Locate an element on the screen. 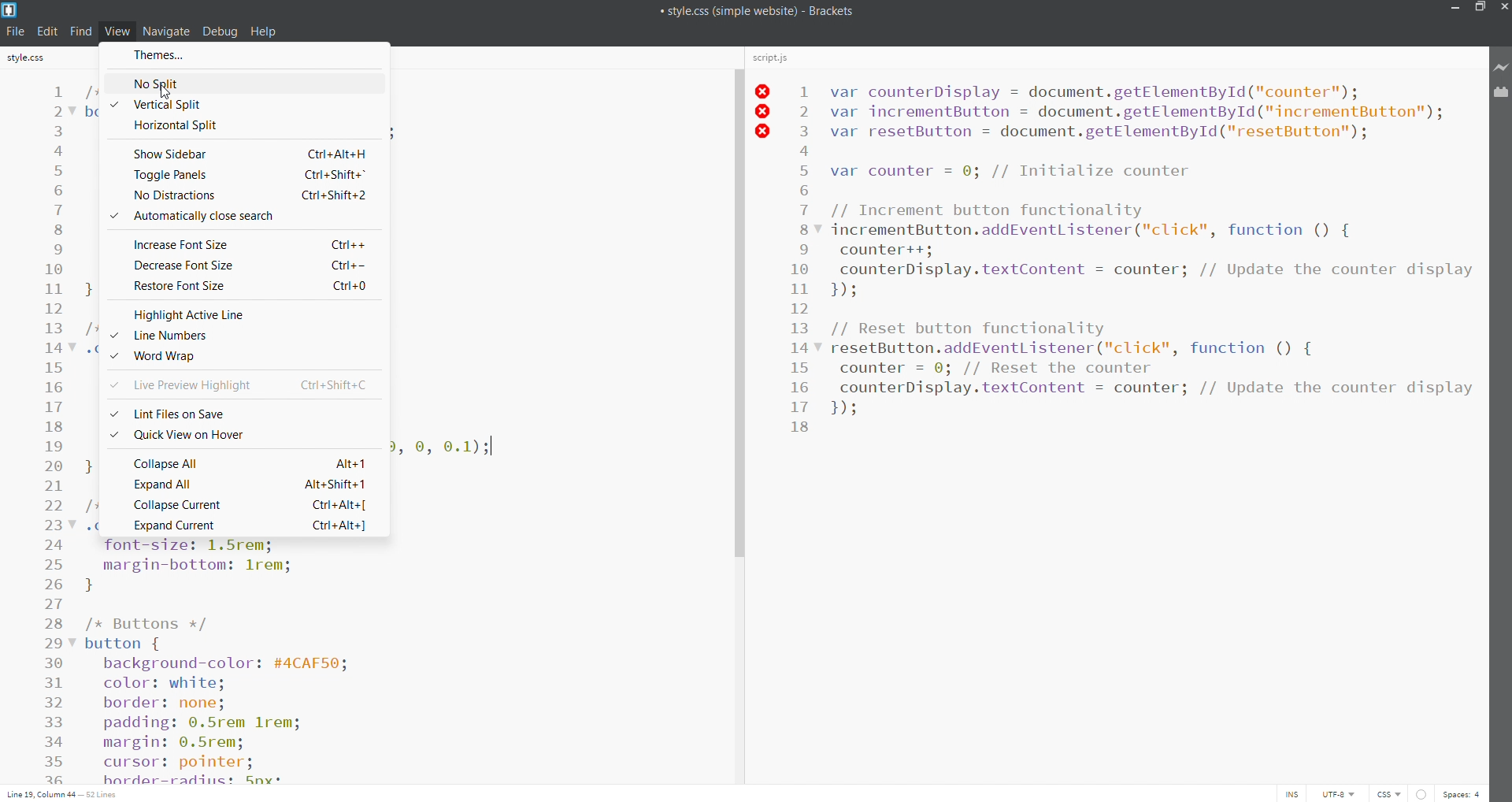 Image resolution: width=1512 pixels, height=802 pixels. find is located at coordinates (80, 31).